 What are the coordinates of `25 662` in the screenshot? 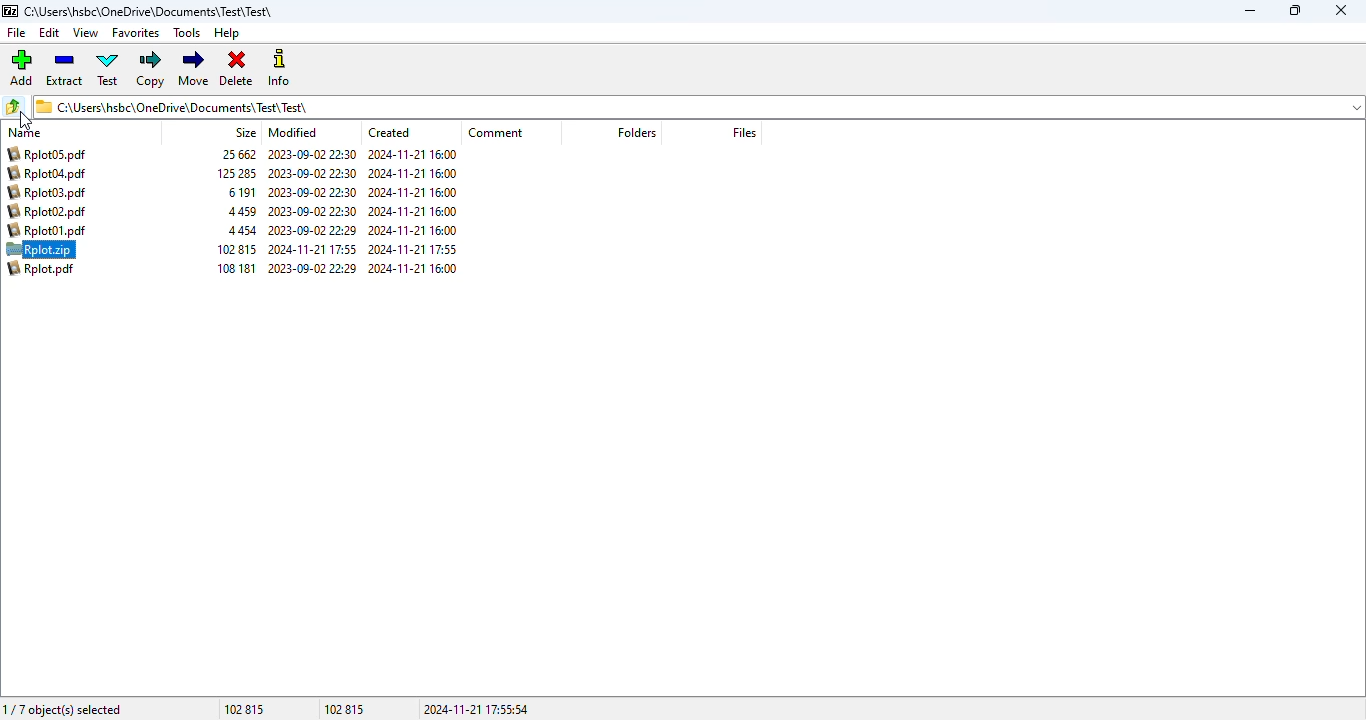 It's located at (239, 155).